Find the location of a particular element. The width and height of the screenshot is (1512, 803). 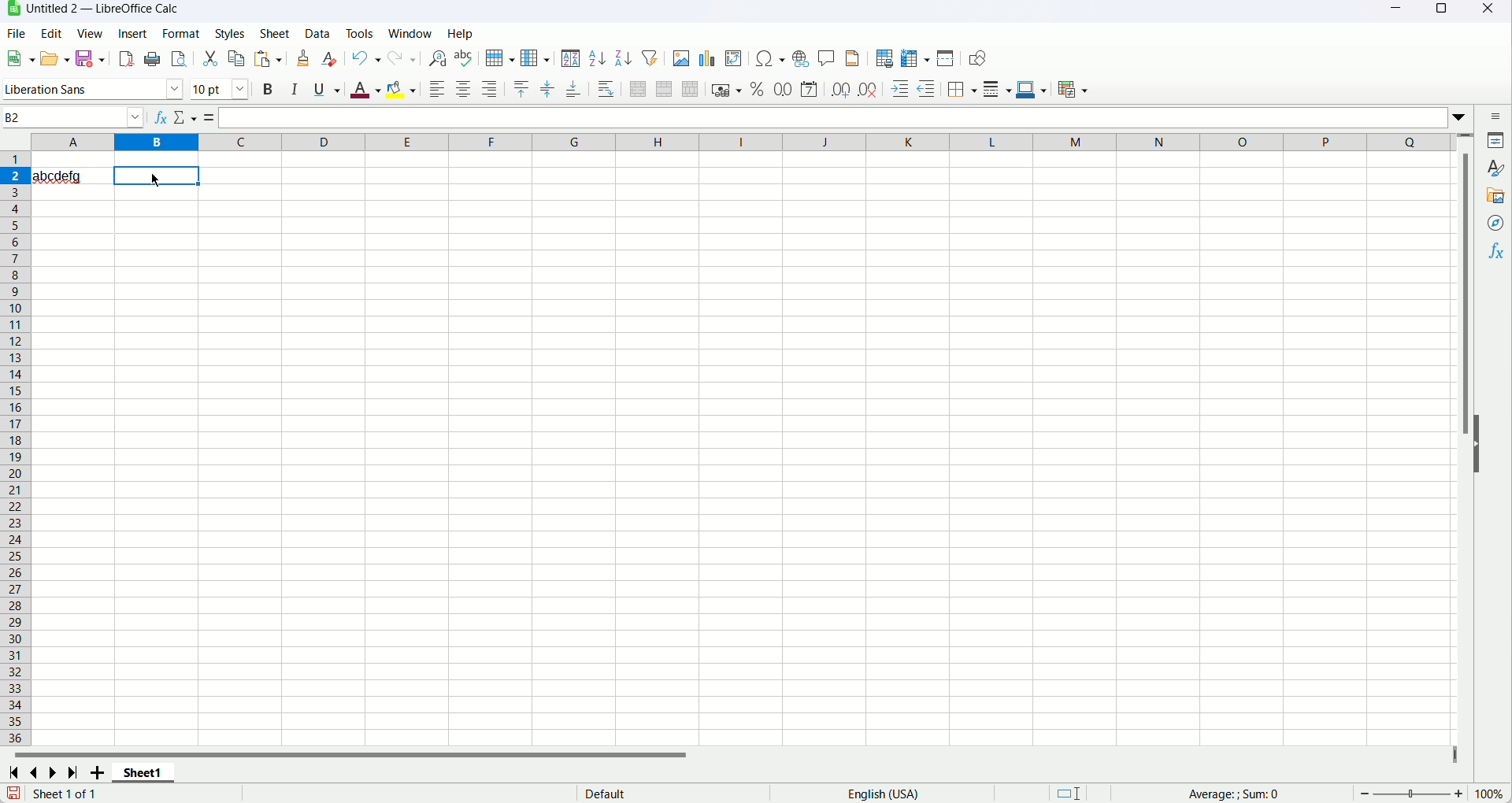

align right is located at coordinates (489, 88).